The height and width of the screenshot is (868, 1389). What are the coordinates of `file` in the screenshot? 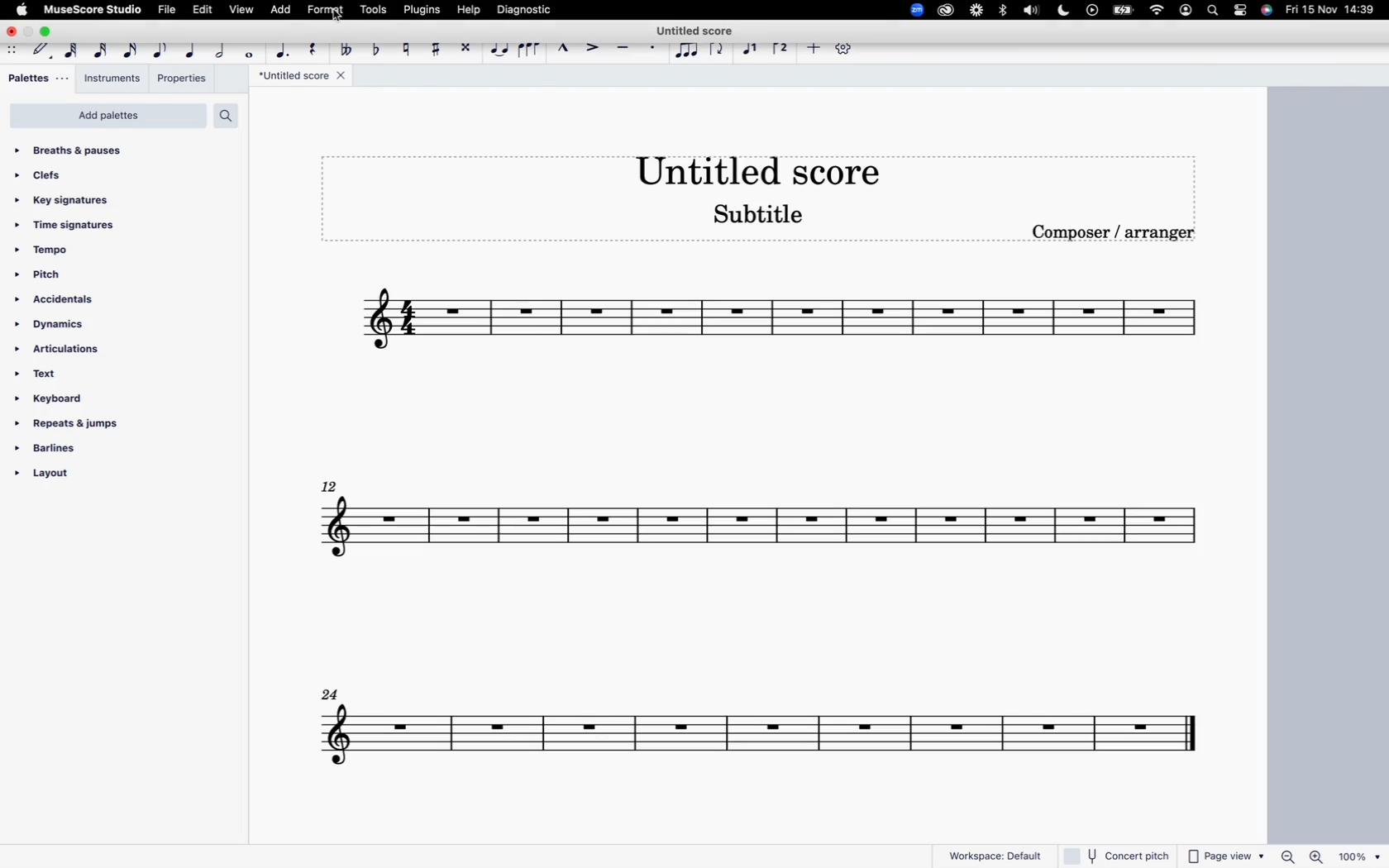 It's located at (165, 12).